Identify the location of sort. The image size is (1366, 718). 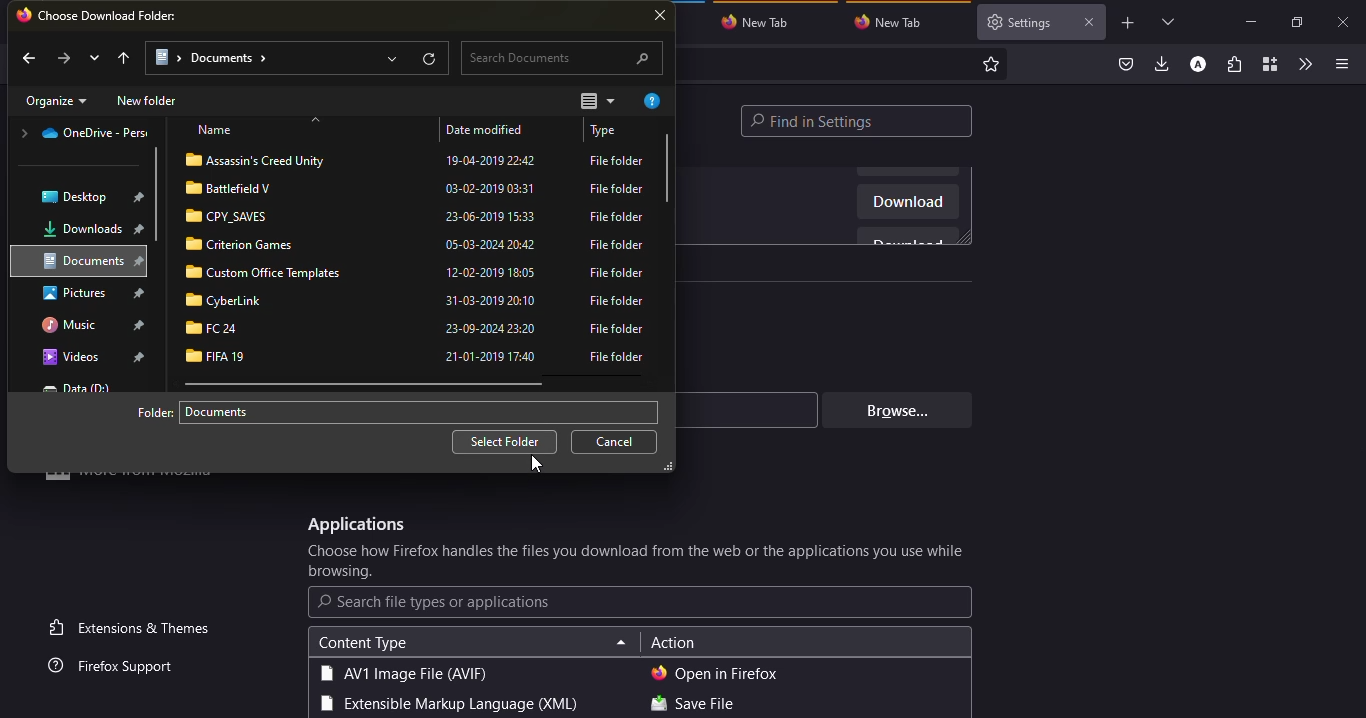
(621, 644).